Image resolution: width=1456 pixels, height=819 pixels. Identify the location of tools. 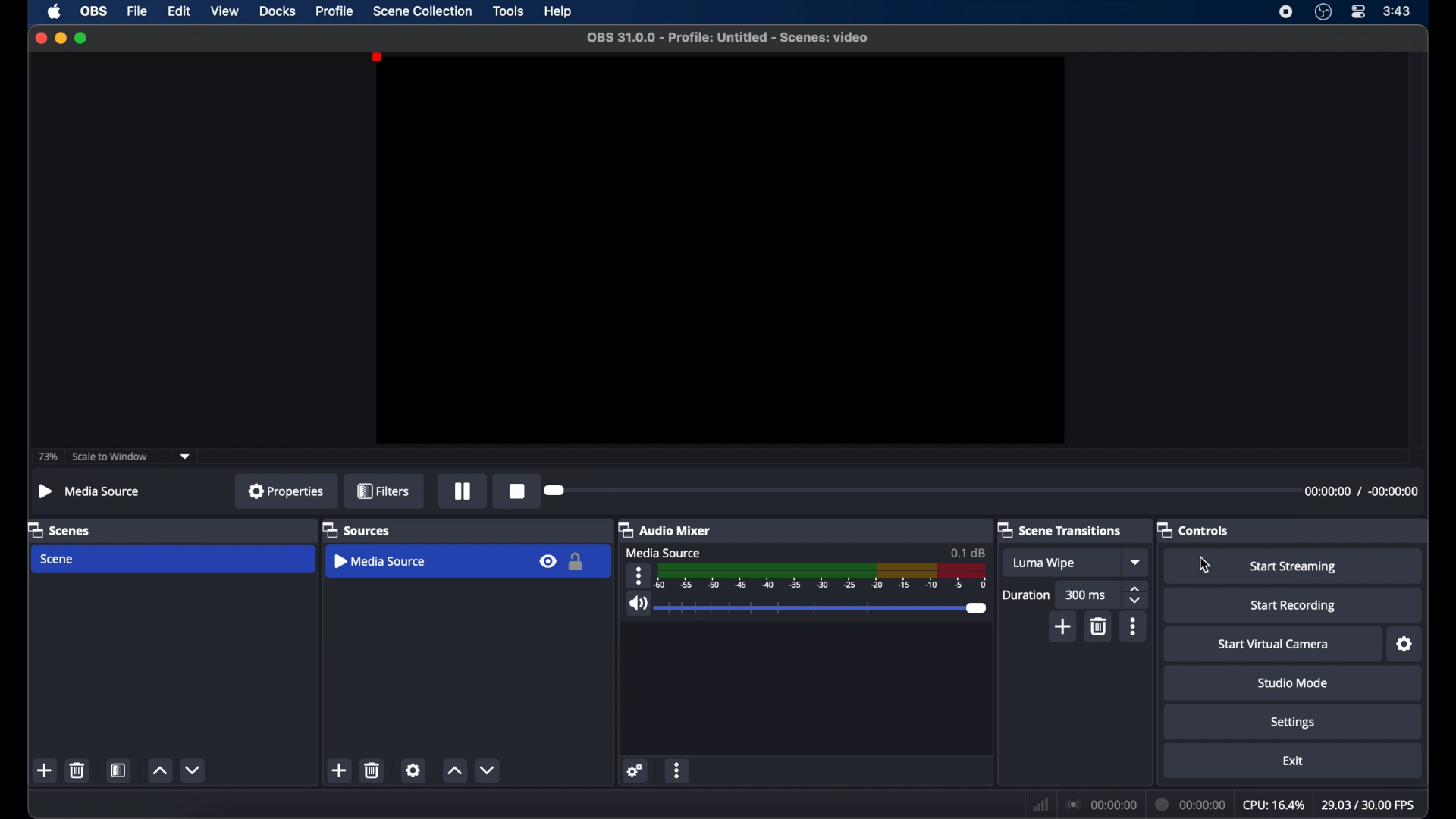
(510, 11).